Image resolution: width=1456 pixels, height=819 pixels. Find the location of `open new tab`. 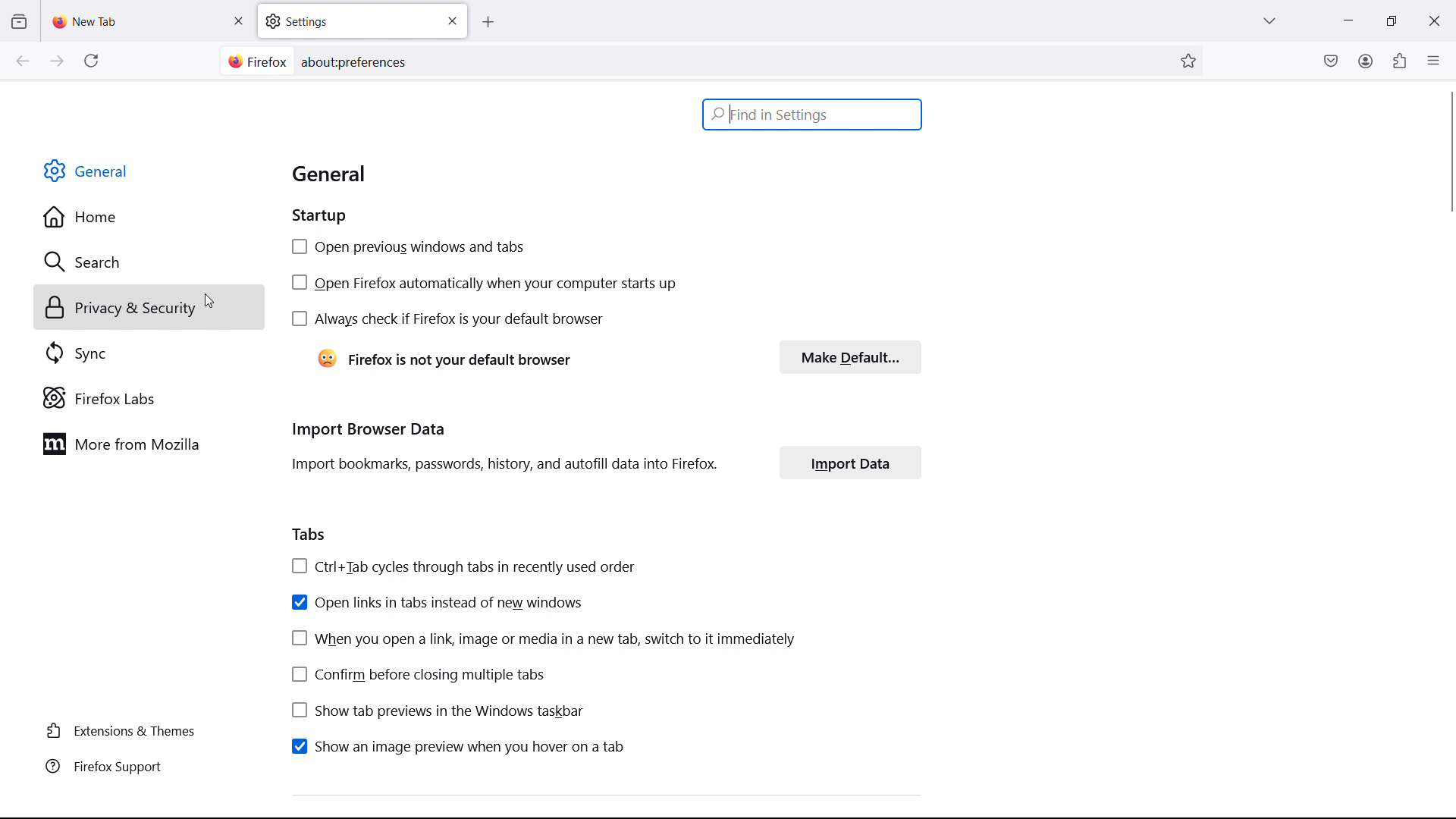

open new tab is located at coordinates (503, 23).